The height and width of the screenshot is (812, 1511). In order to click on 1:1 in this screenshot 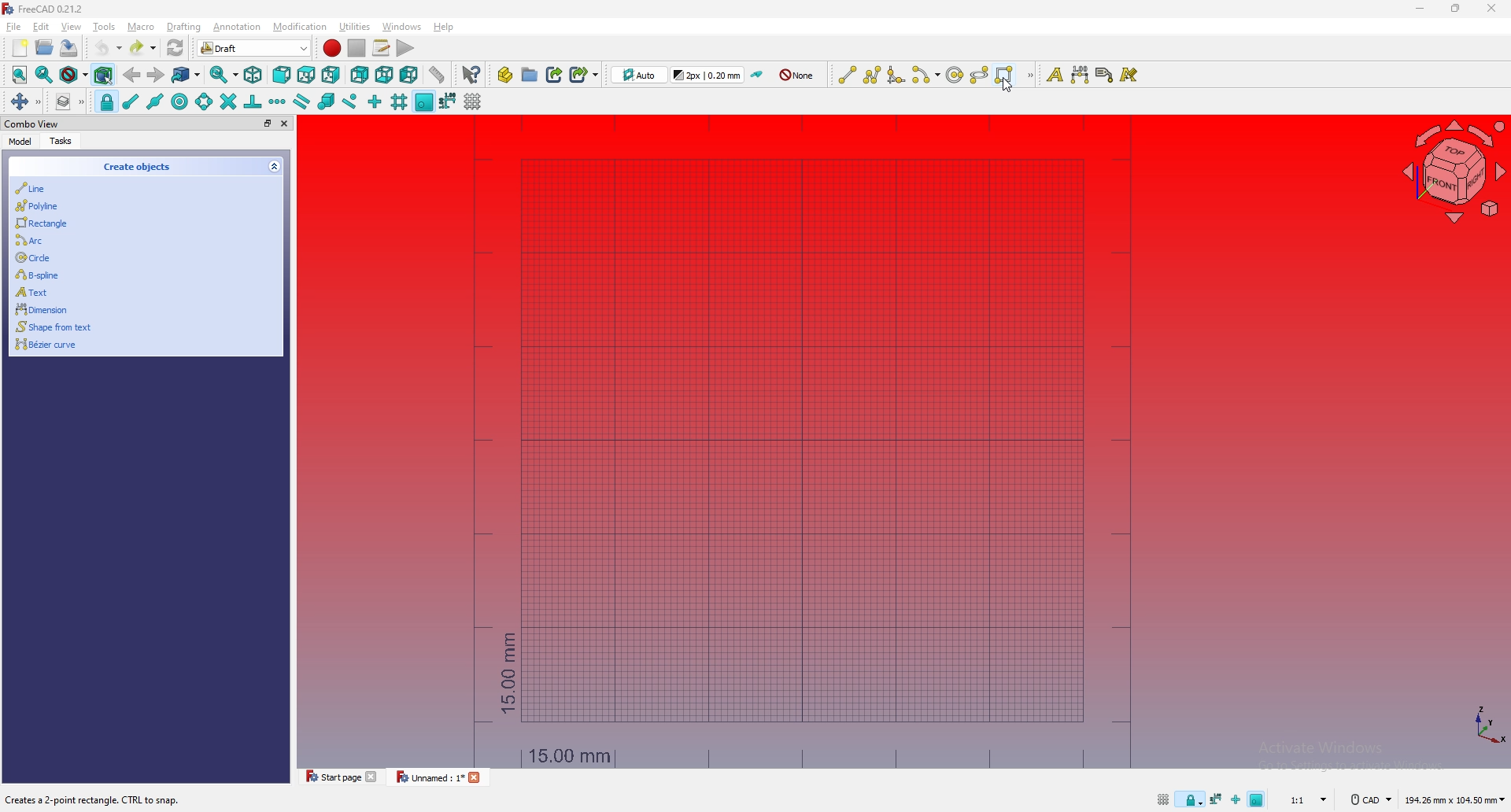, I will do `click(1306, 800)`.